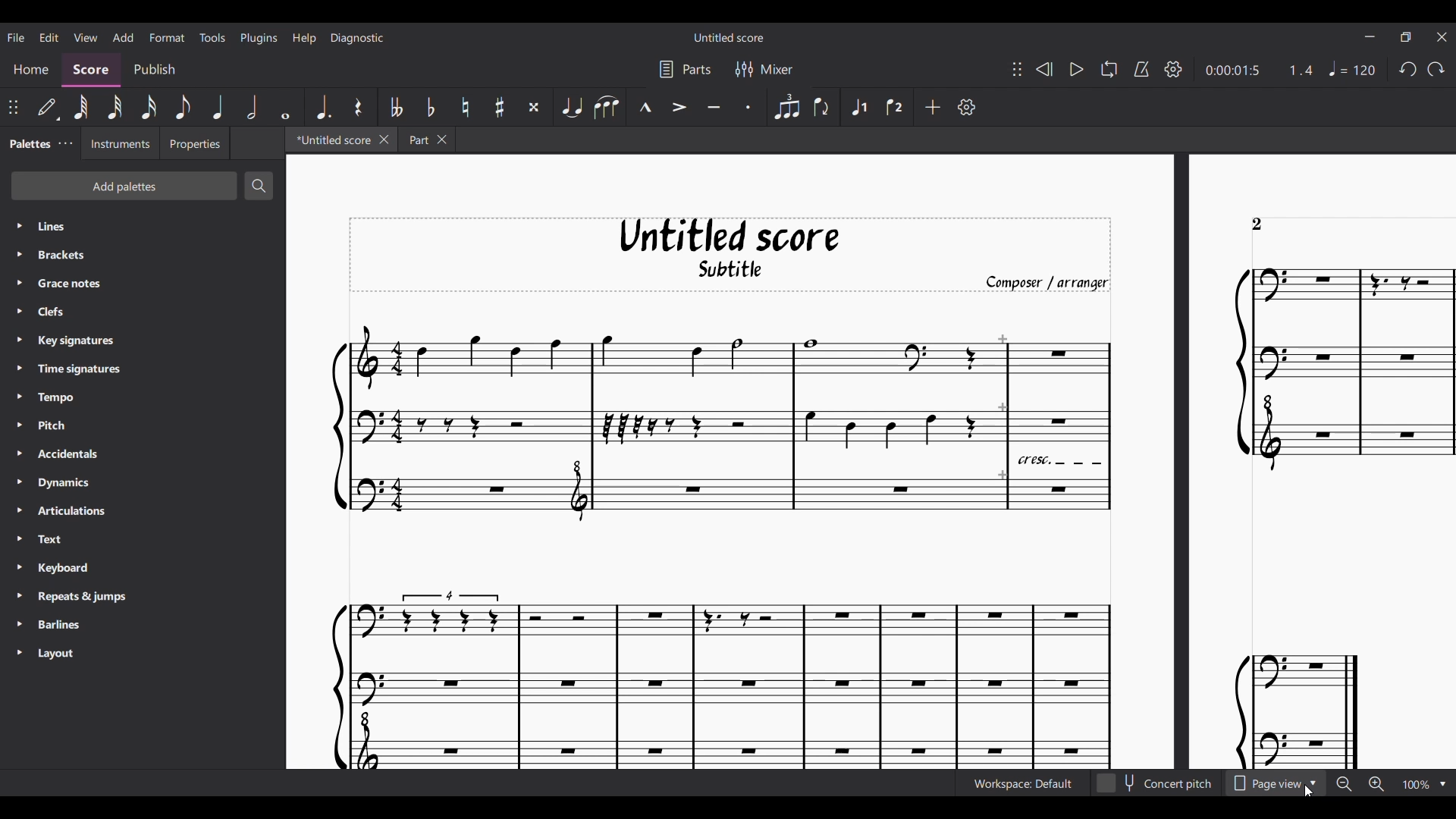 This screenshot has height=819, width=1456. Describe the element at coordinates (535, 107) in the screenshot. I see `Toggle double sharp` at that location.